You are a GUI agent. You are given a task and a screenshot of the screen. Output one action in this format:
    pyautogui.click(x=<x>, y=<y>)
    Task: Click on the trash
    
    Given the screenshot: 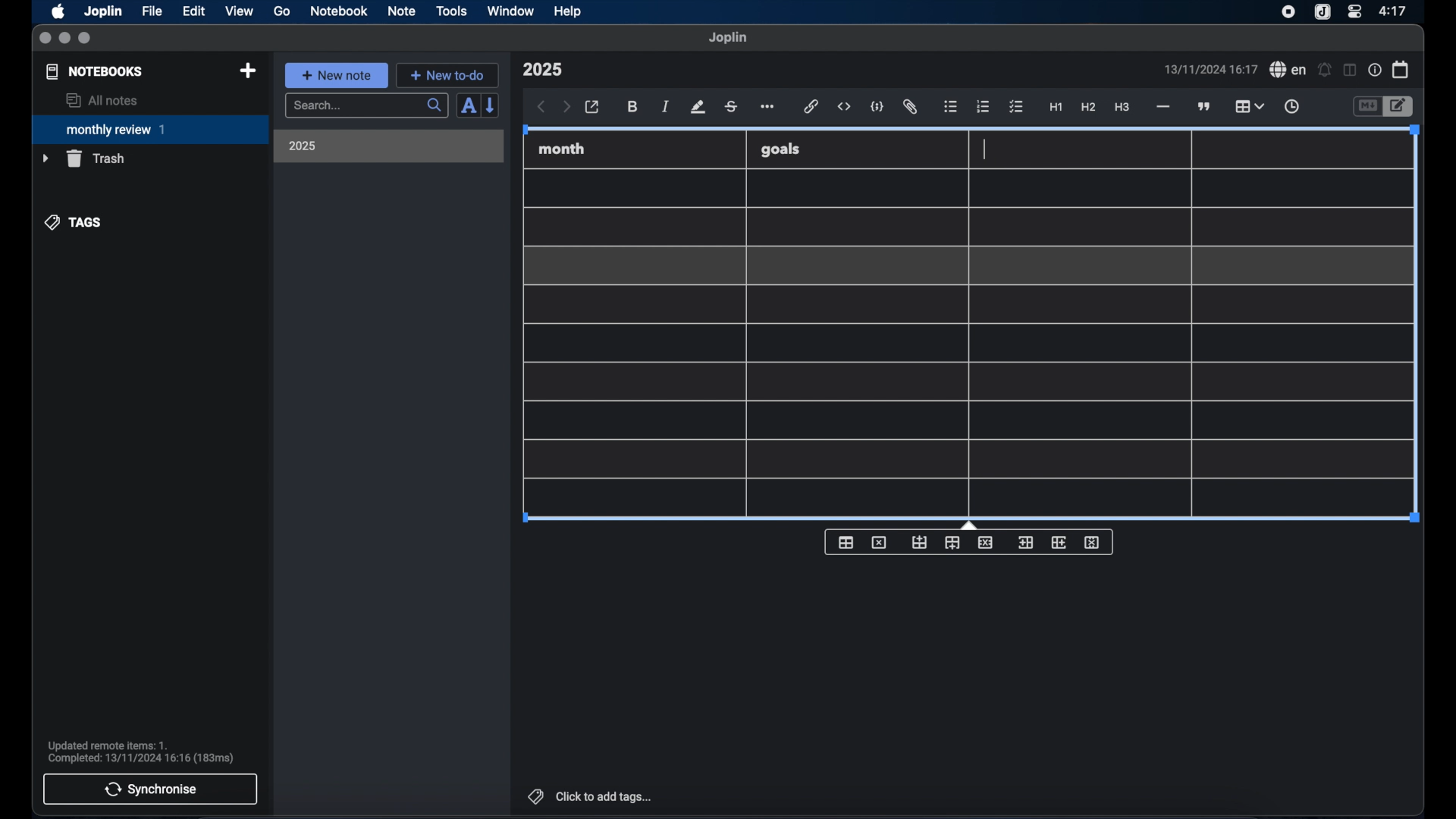 What is the action you would take?
    pyautogui.click(x=83, y=158)
    